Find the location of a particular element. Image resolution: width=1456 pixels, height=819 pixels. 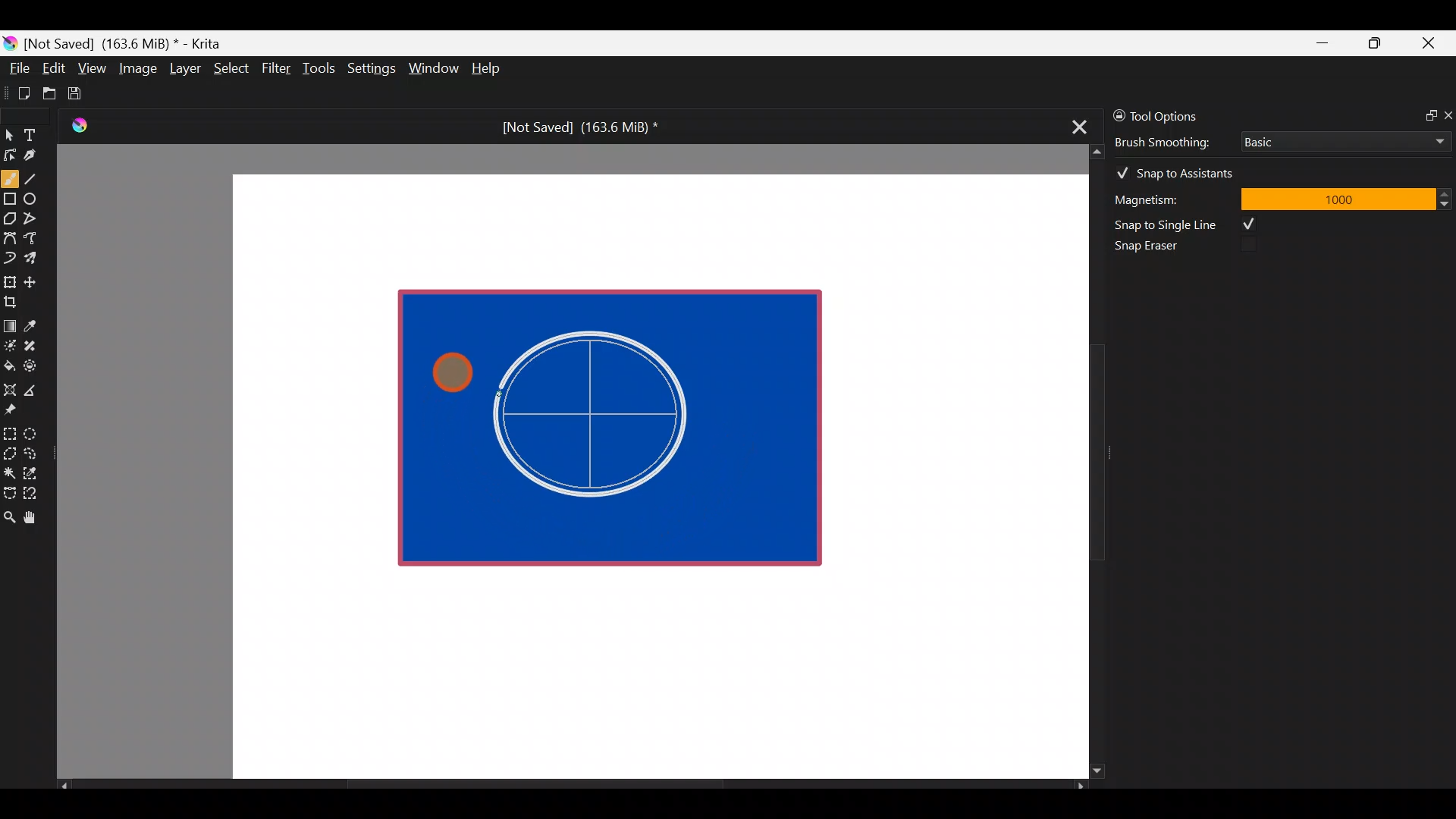

Rectangular selection tool is located at coordinates (13, 431).